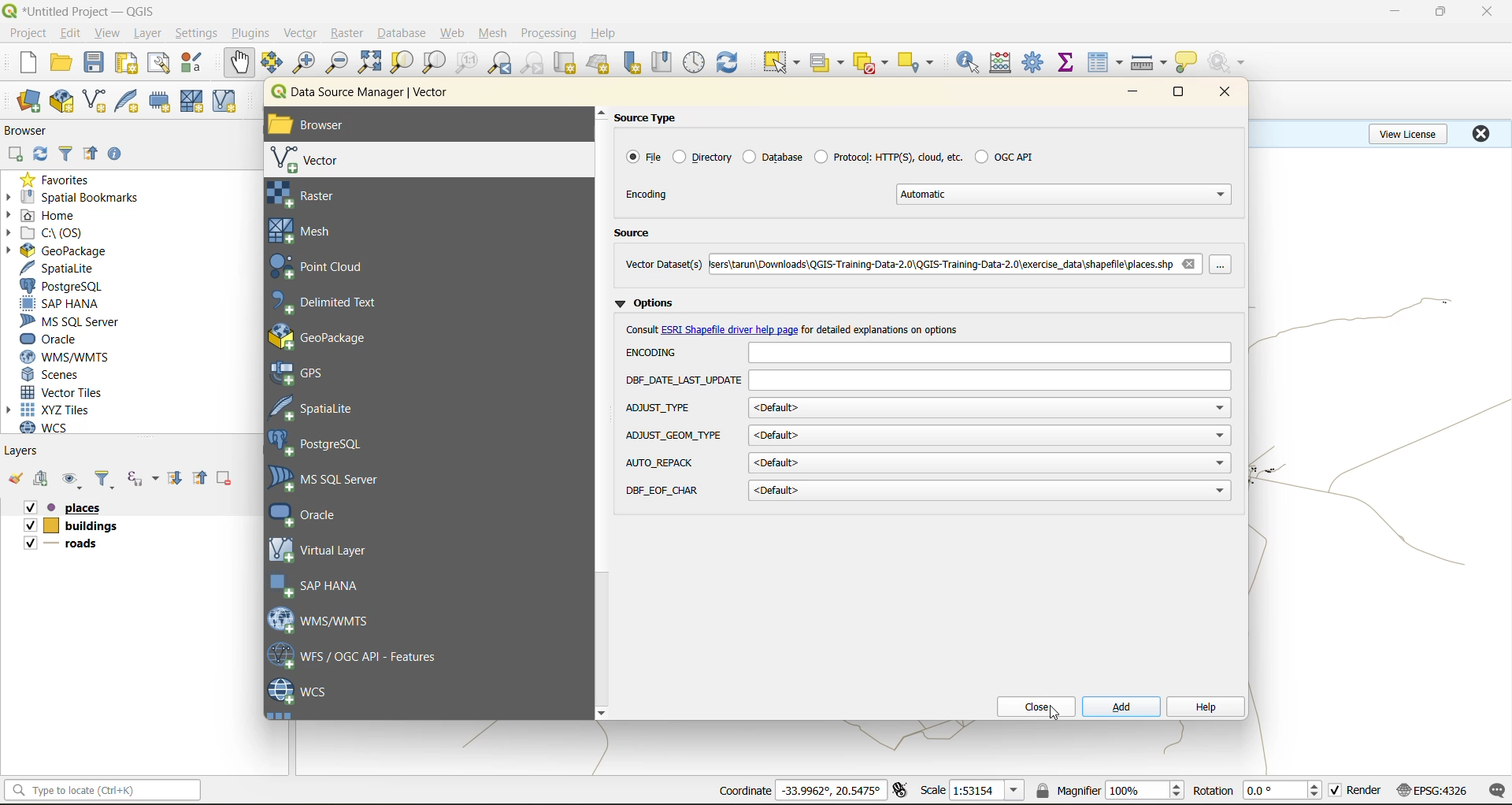  What do you see at coordinates (47, 217) in the screenshot?
I see `home` at bounding box center [47, 217].